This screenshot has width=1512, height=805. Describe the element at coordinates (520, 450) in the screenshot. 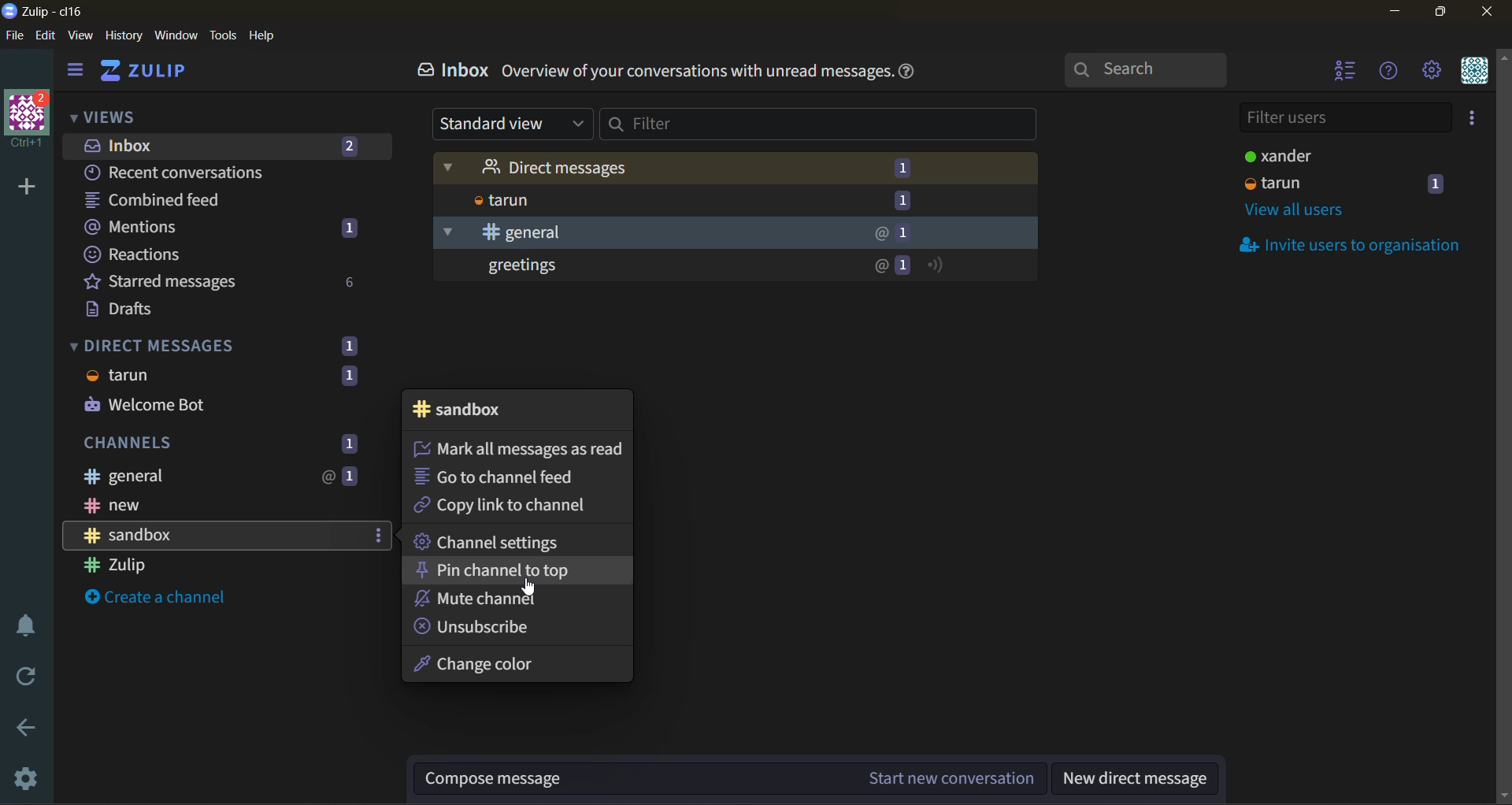

I see `mark all messages as read` at that location.